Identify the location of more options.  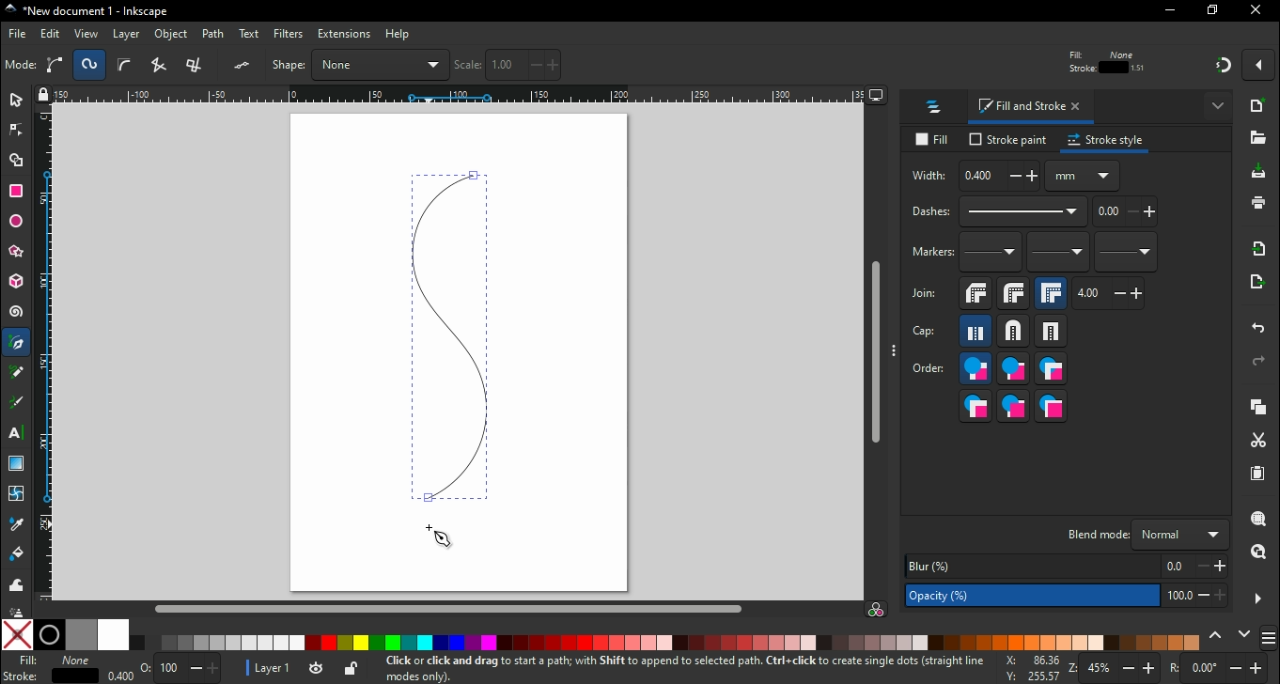
(1259, 598).